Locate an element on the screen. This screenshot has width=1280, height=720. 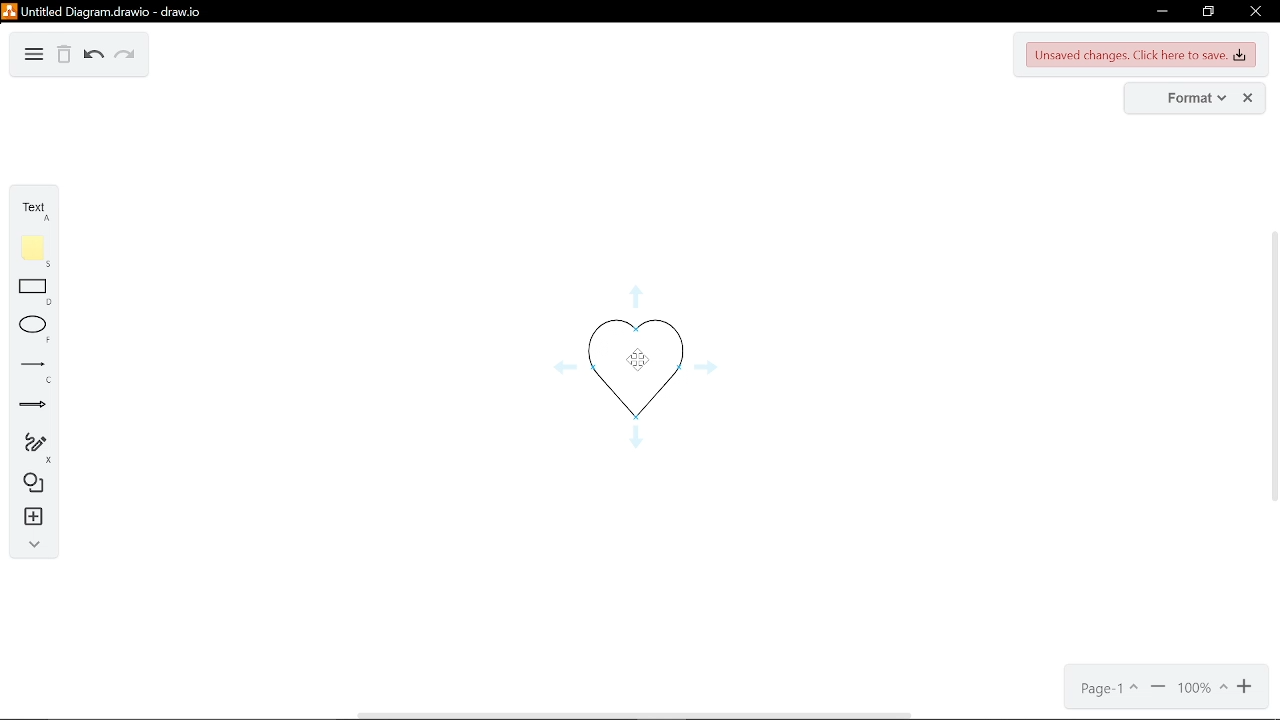
restore down is located at coordinates (1210, 12).